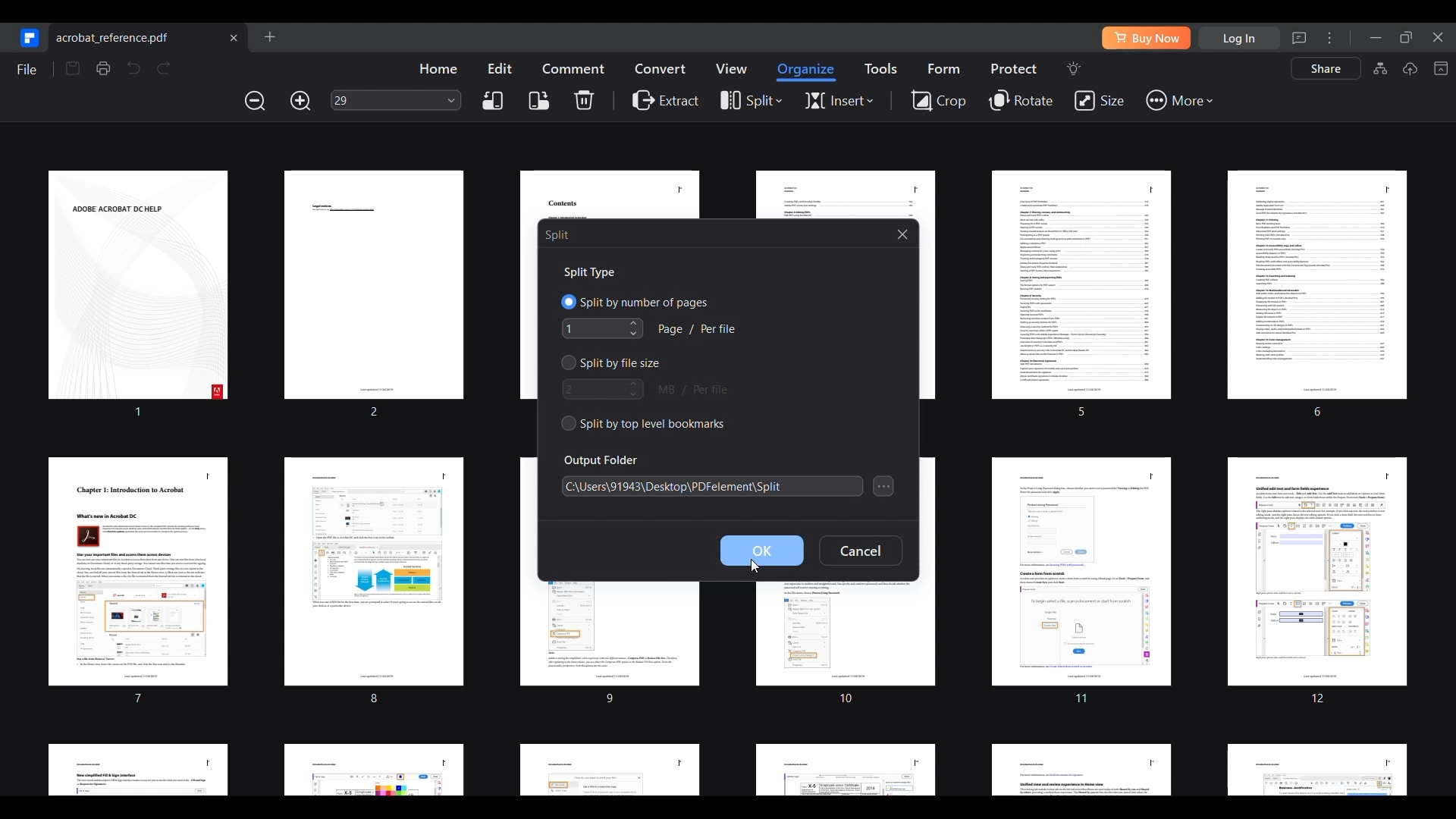 The image size is (1456, 819). Describe the element at coordinates (1434, 35) in the screenshot. I see `Close` at that location.